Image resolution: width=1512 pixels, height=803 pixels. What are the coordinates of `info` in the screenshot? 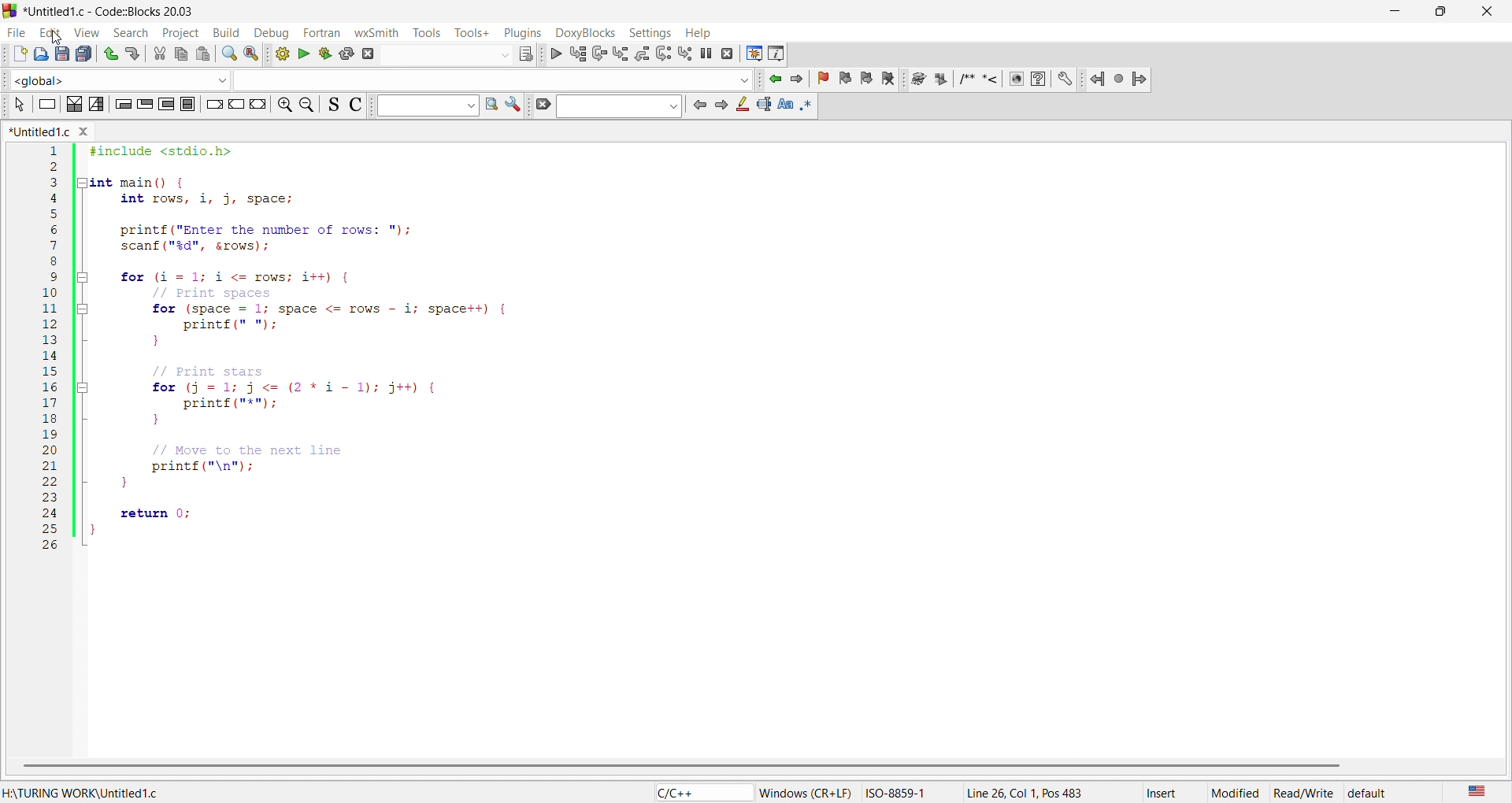 It's located at (774, 54).